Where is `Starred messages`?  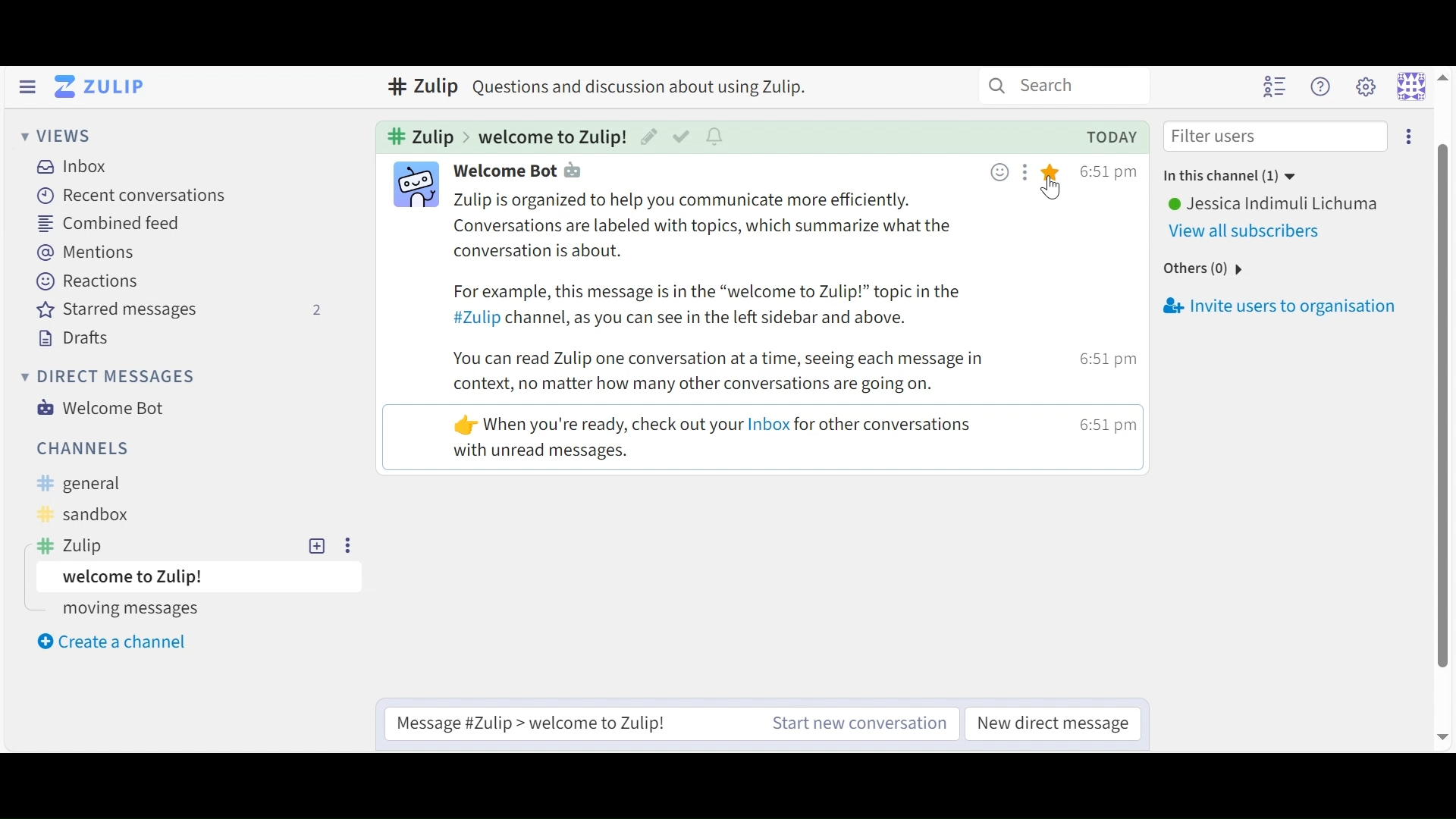
Starred messages is located at coordinates (187, 309).